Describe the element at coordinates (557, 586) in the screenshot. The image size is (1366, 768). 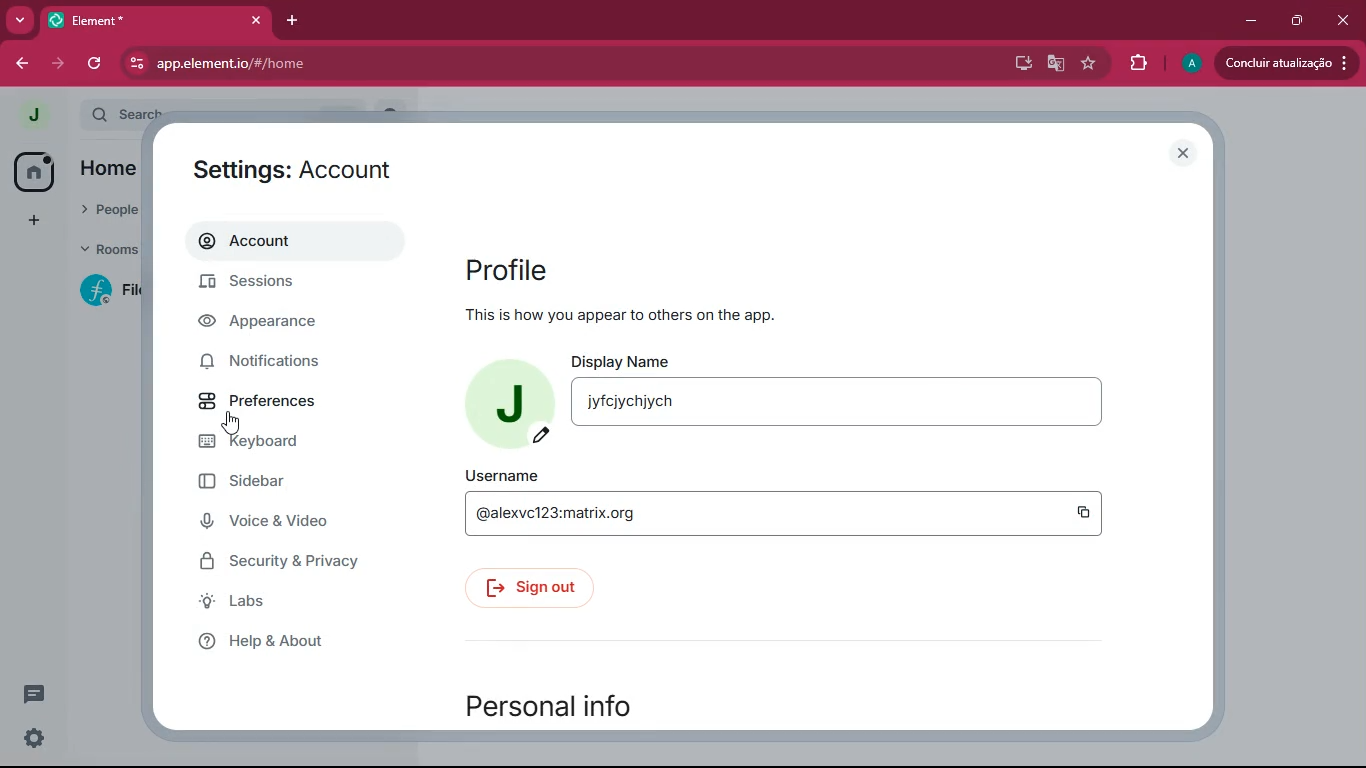
I see `sign out` at that location.